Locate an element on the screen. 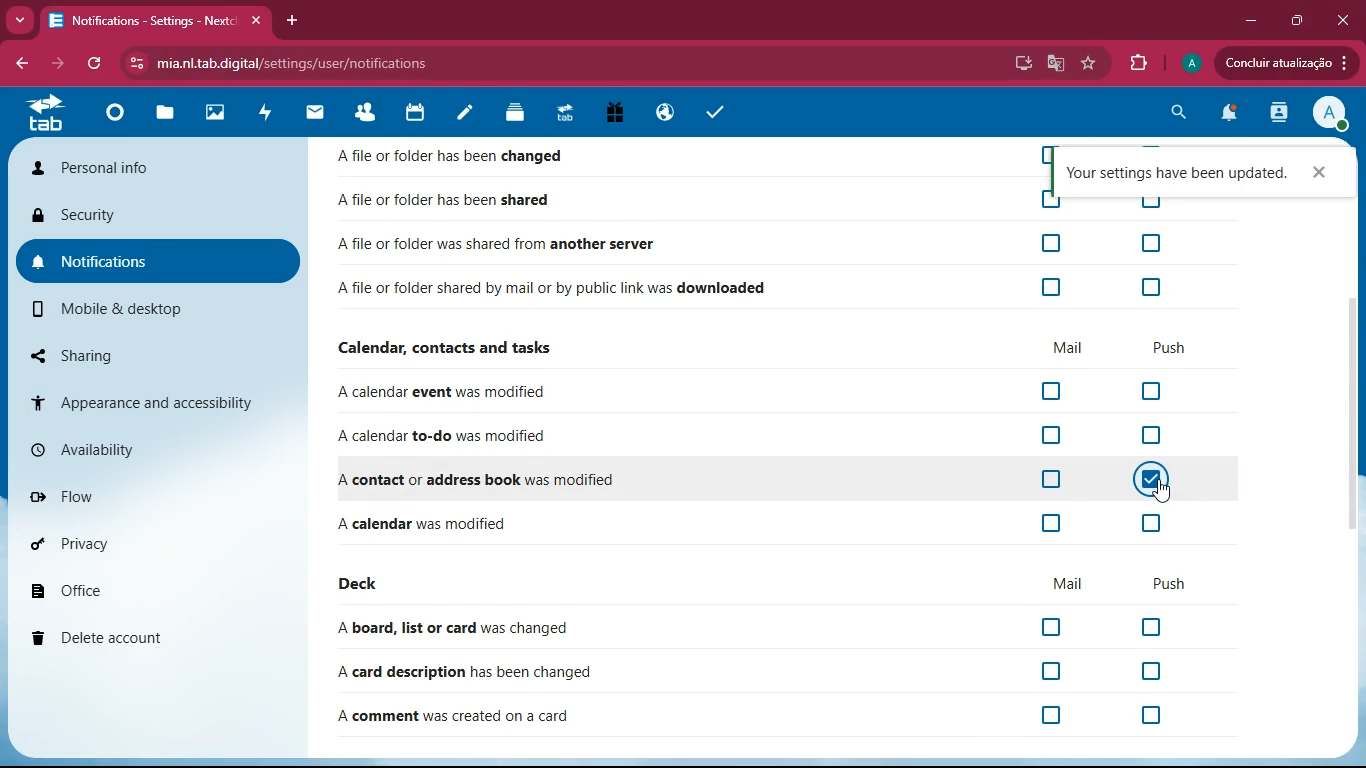 The width and height of the screenshot is (1366, 768). on  is located at coordinates (1152, 477).